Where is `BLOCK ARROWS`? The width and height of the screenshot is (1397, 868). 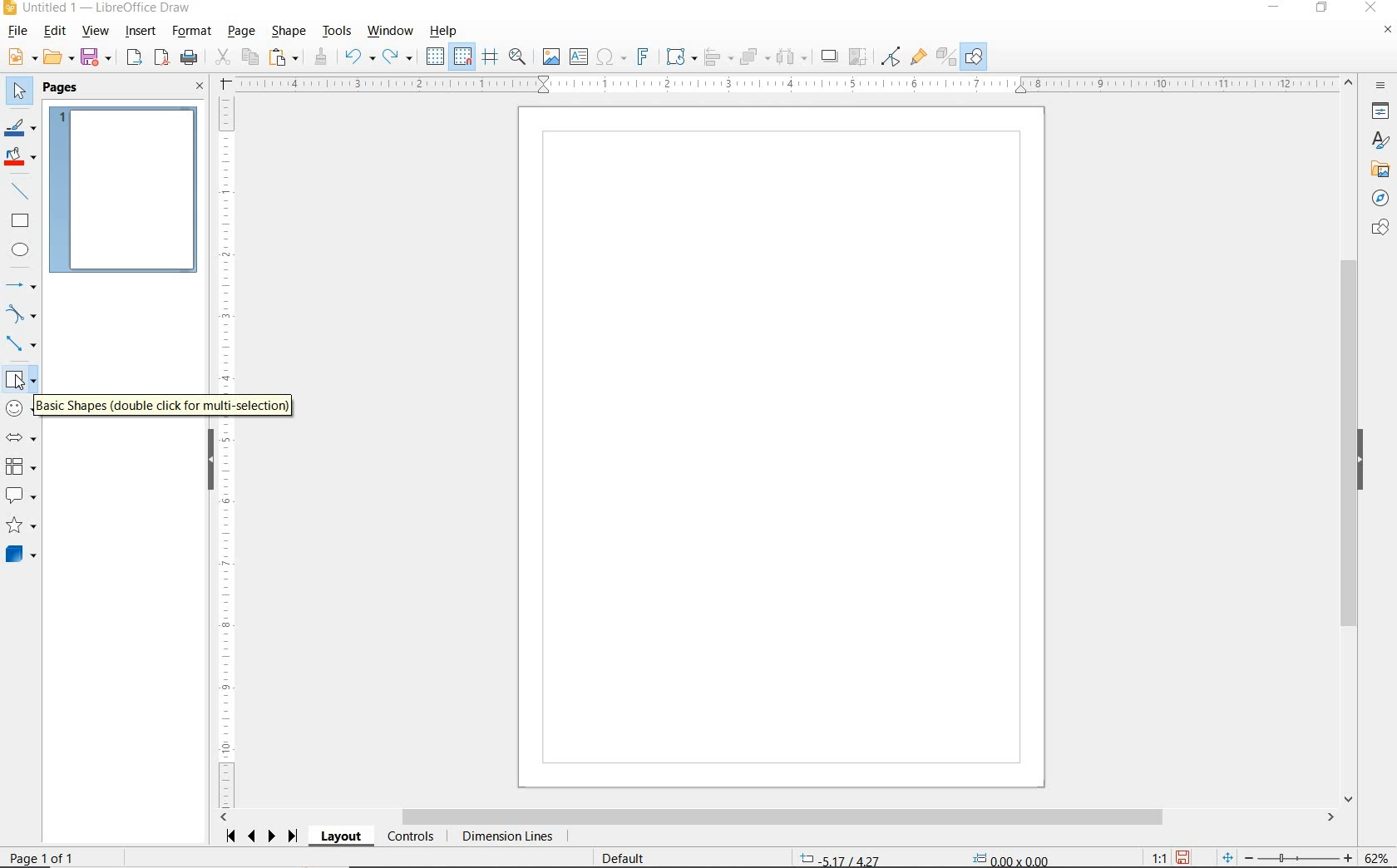 BLOCK ARROWS is located at coordinates (26, 437).